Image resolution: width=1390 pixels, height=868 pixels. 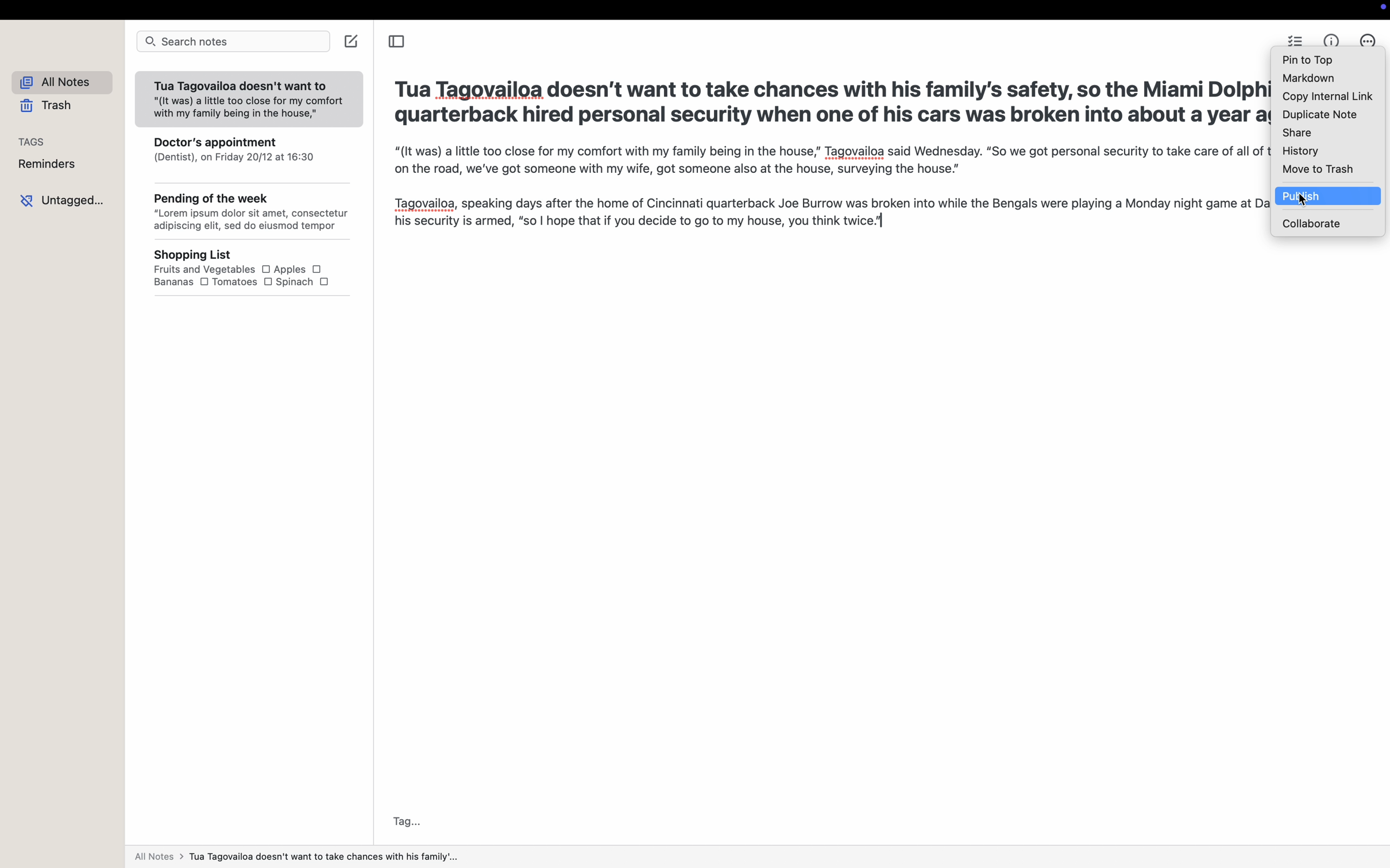 What do you see at coordinates (823, 214) in the screenshot?
I see `Tagovailoa, speaking days after the home of Cincinnati quarterback Joe Burrow was broken into while the Bengals were playing a Monday night game at Dallas, also noted
his security is armed, “so | hope that if you decide to go to my house, you think twice]` at bounding box center [823, 214].